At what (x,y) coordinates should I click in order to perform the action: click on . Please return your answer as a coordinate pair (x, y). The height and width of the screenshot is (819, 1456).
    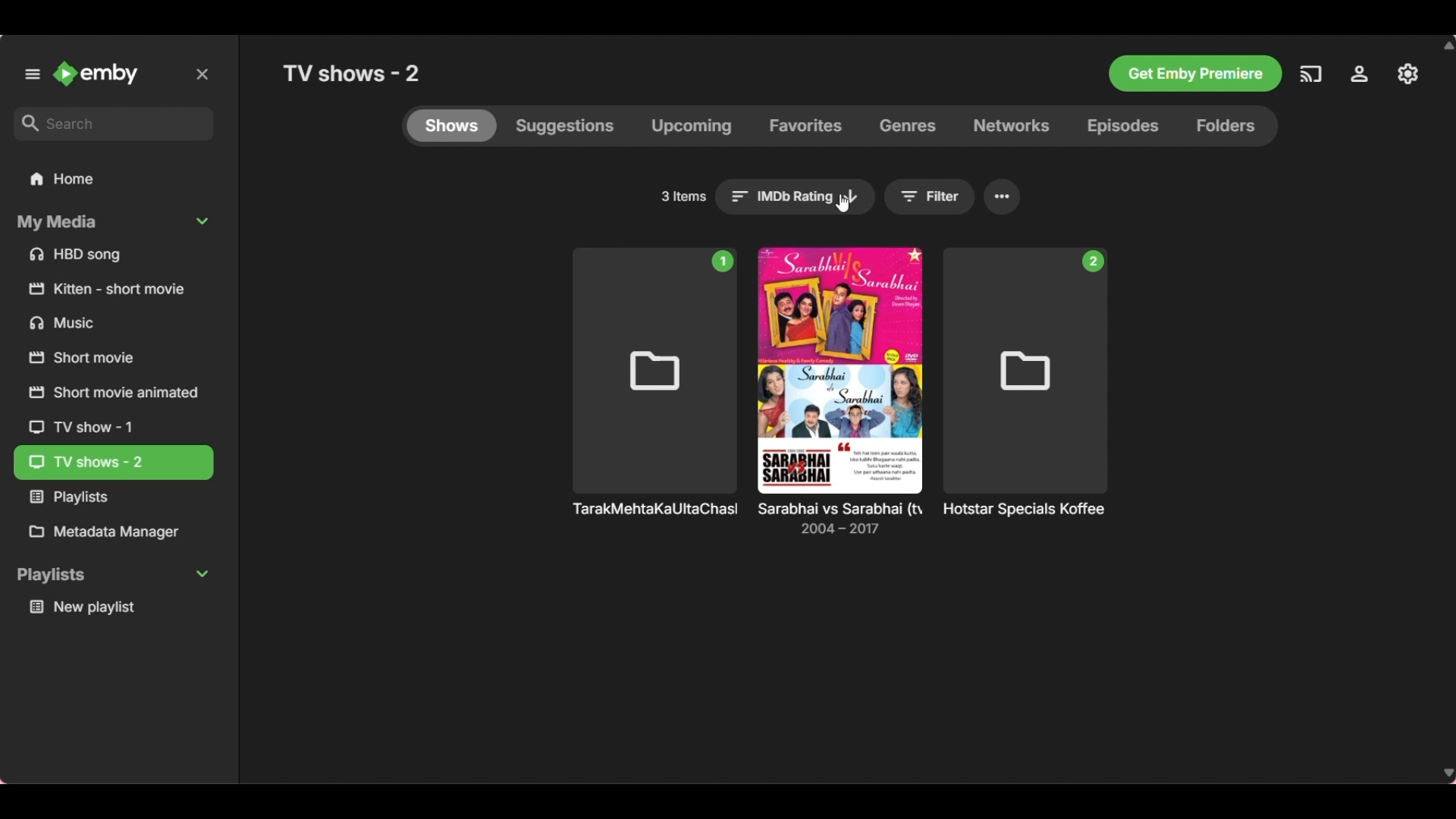
    Looking at the image, I should click on (1194, 73).